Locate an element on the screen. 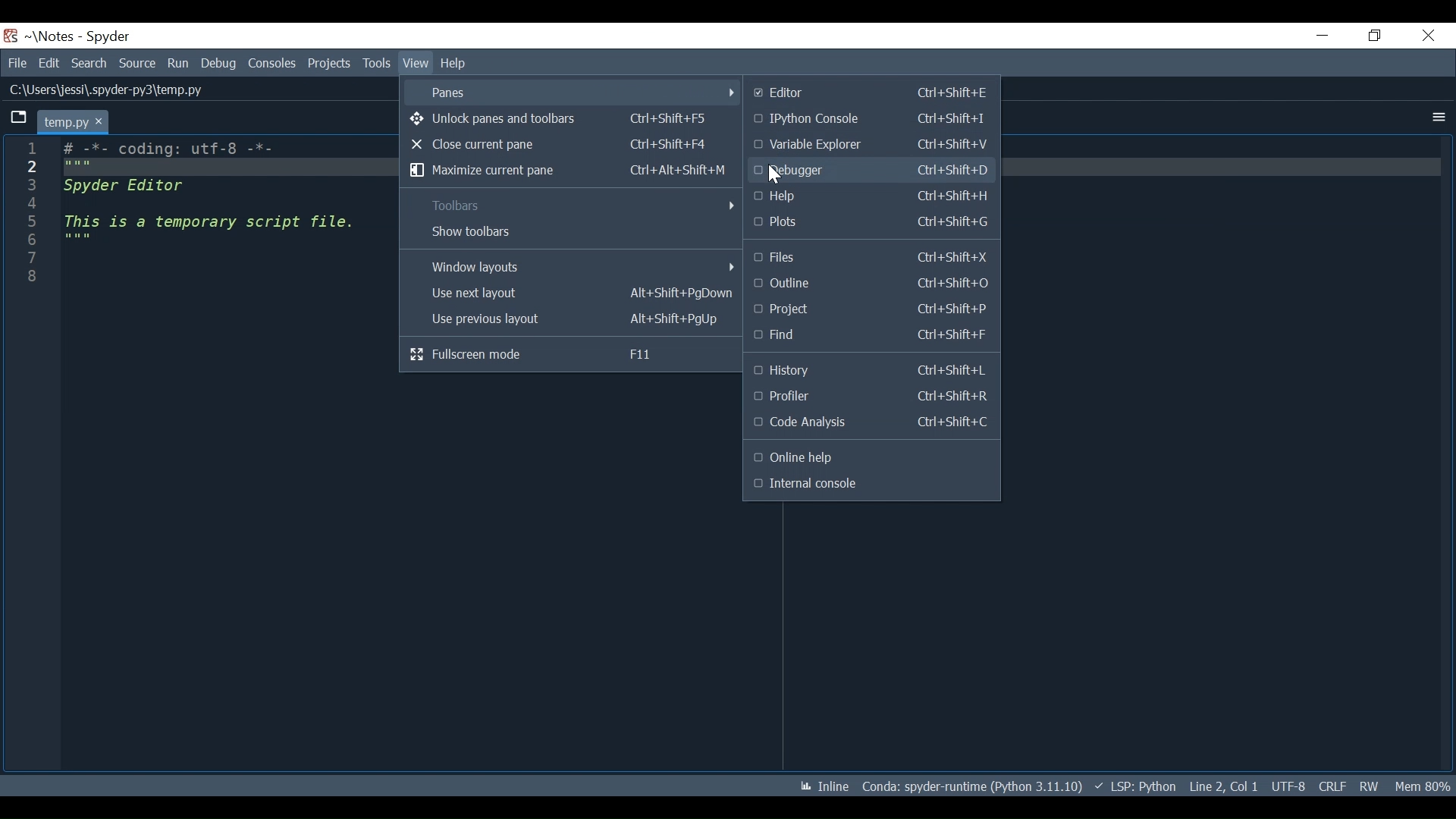 The image size is (1456, 819). Use Previous layout is located at coordinates (571, 319).